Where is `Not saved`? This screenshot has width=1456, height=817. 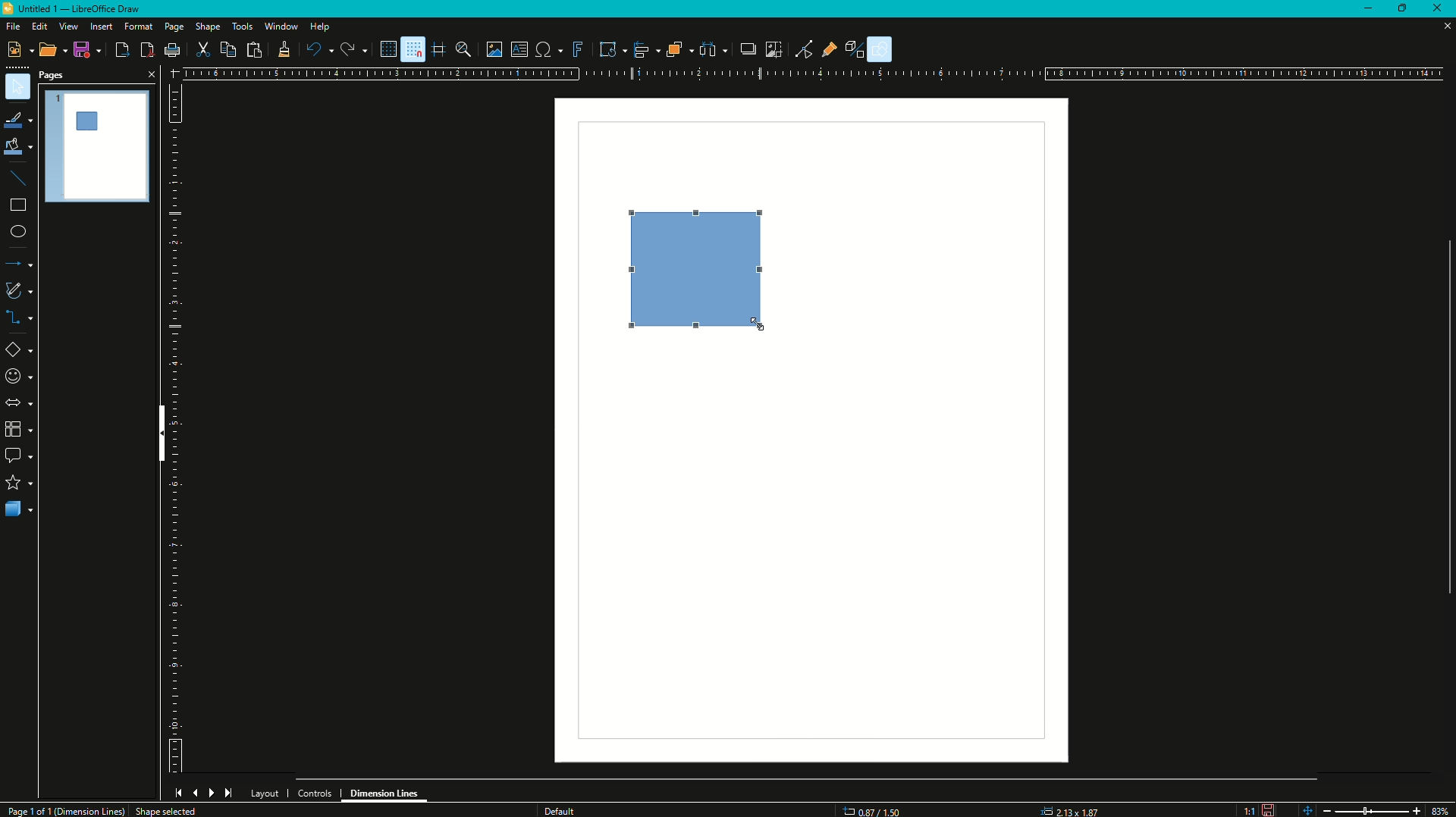 Not saved is located at coordinates (1268, 809).